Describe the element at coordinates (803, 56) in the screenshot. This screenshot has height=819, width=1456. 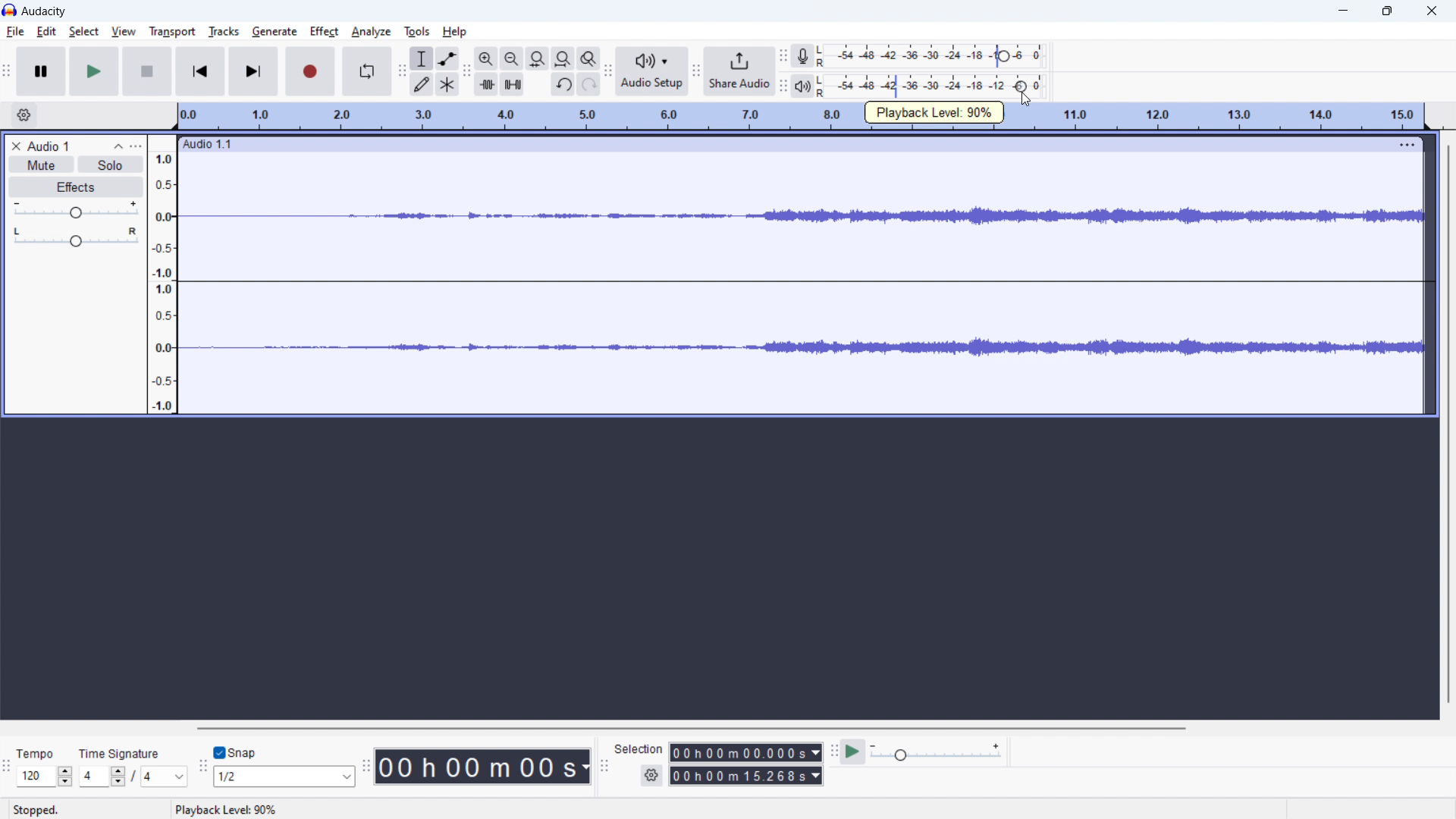
I see `recording meter` at that location.